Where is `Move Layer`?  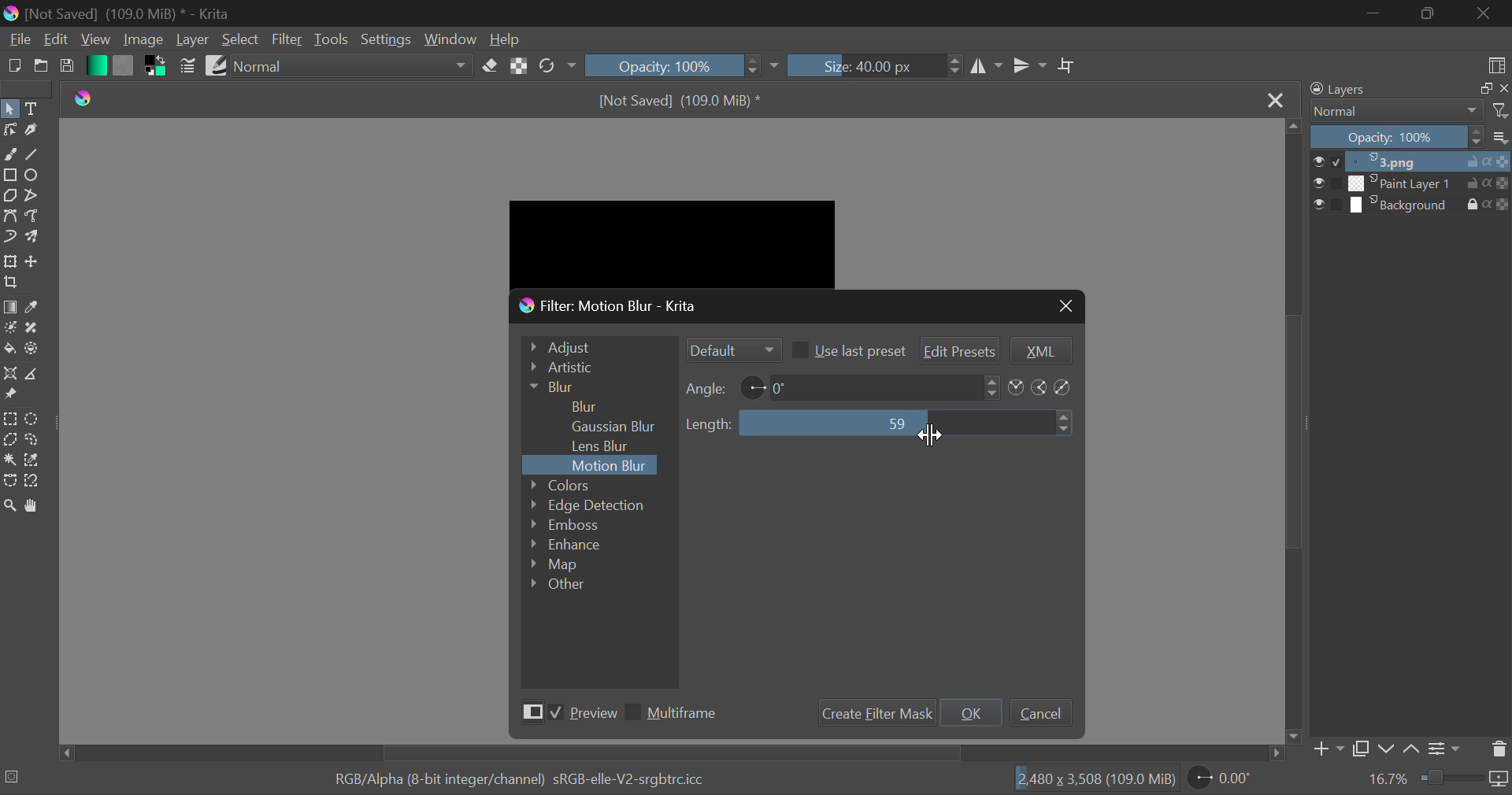 Move Layer is located at coordinates (35, 261).